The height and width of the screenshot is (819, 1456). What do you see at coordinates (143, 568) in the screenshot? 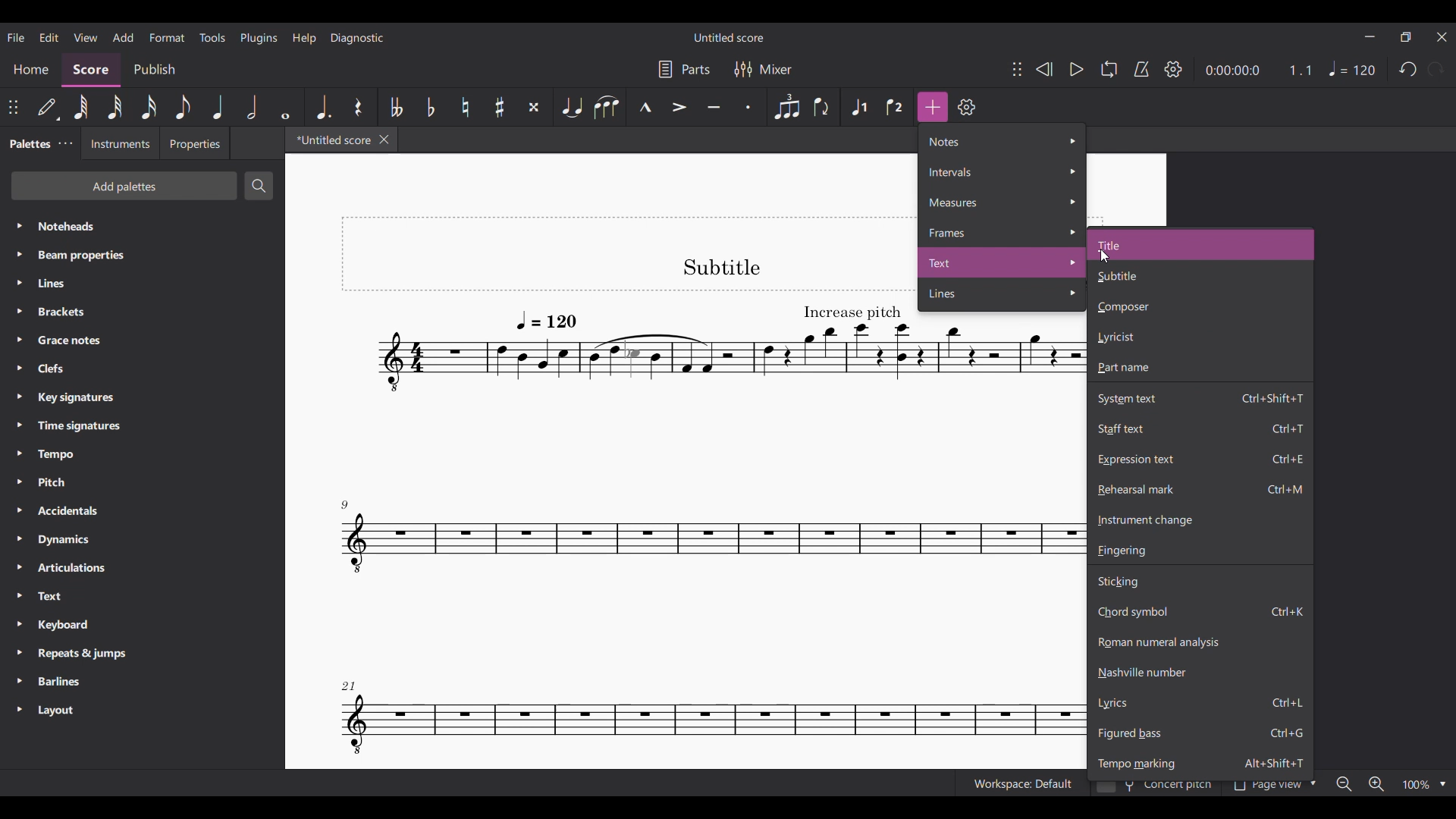
I see `Articulations` at bounding box center [143, 568].